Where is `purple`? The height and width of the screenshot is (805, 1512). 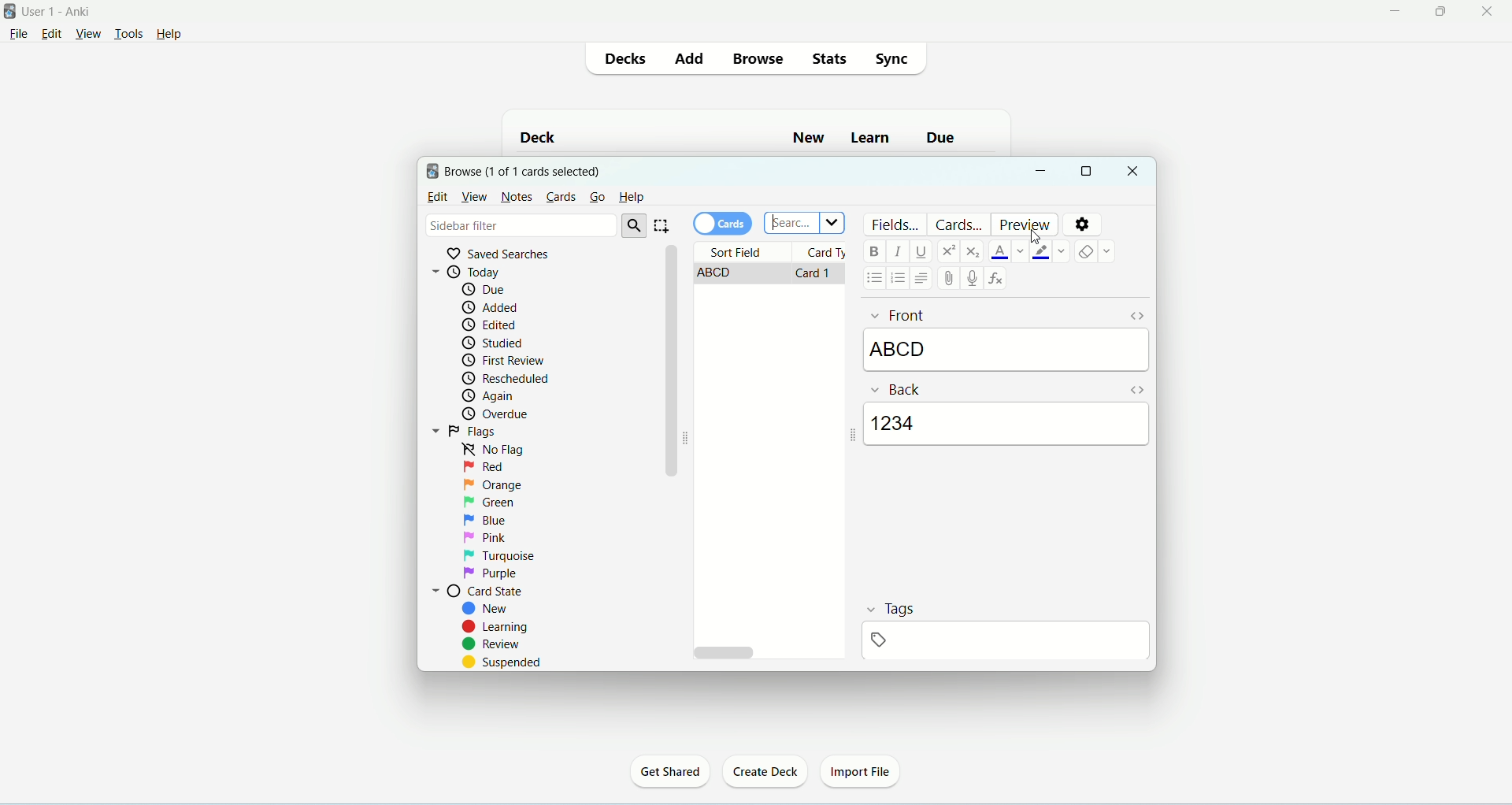 purple is located at coordinates (489, 575).